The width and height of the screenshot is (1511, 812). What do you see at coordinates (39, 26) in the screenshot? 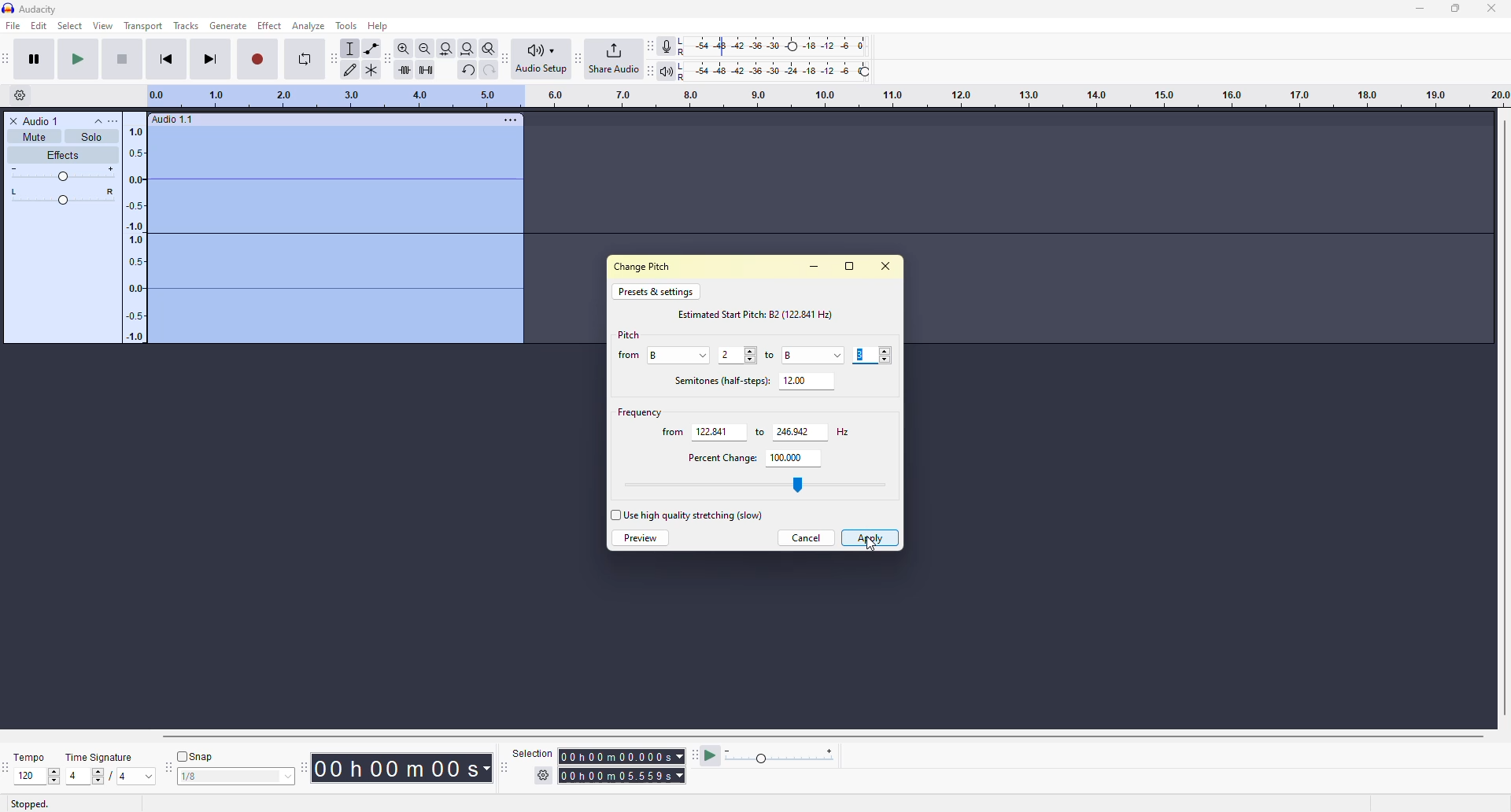
I see `edit` at bounding box center [39, 26].